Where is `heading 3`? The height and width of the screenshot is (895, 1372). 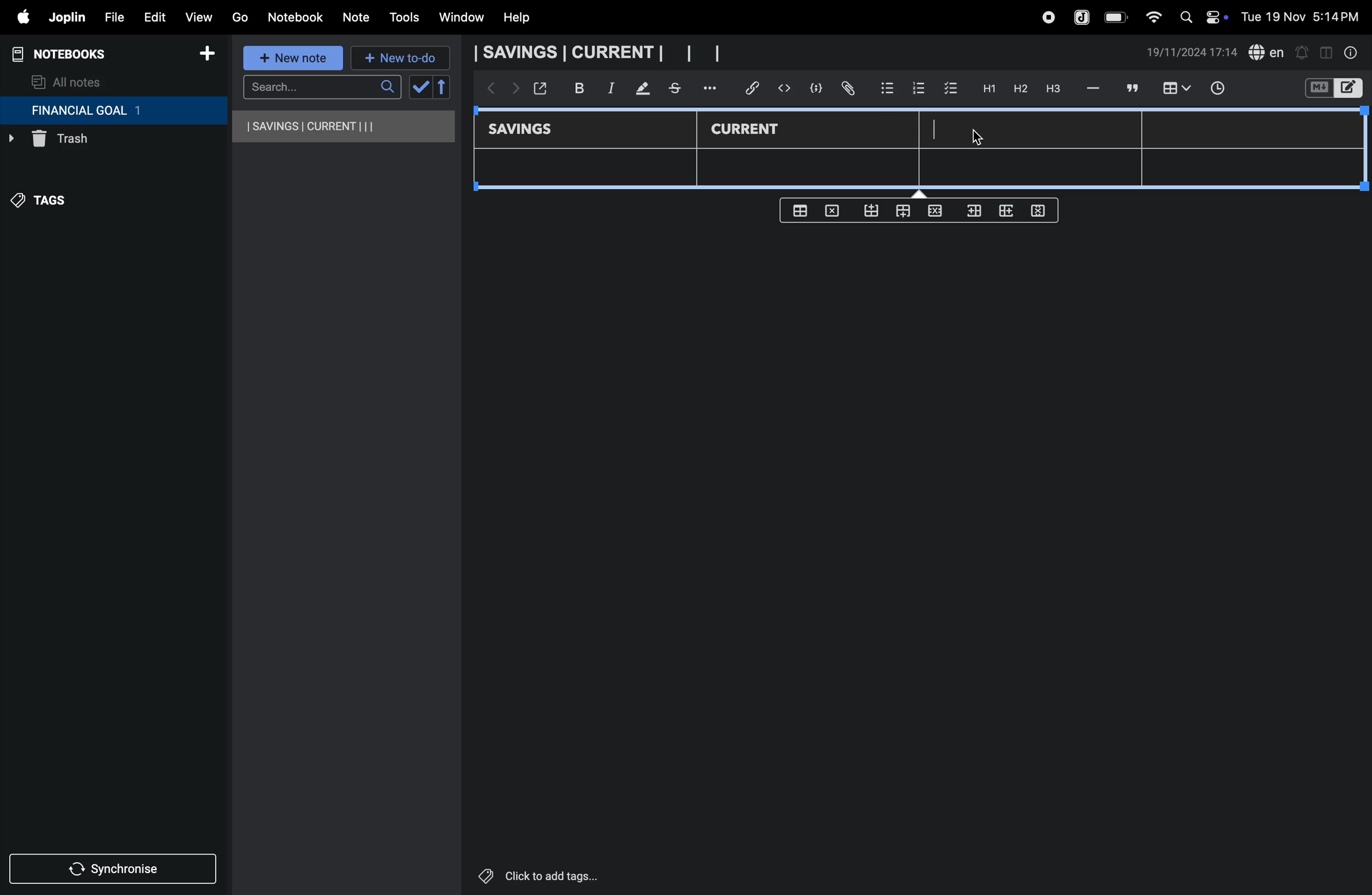 heading 3 is located at coordinates (1053, 89).